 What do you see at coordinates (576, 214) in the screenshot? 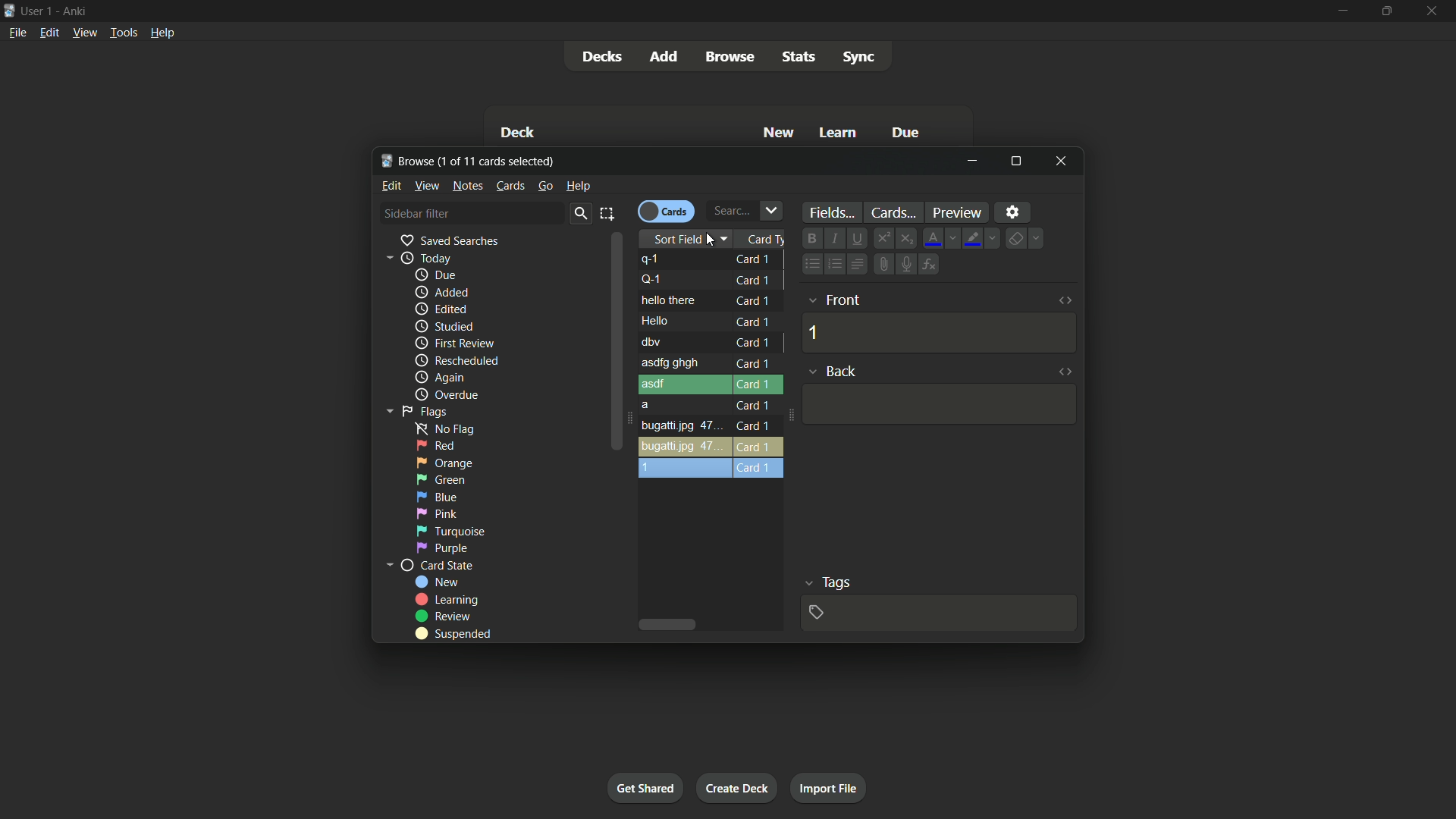
I see `search` at bounding box center [576, 214].